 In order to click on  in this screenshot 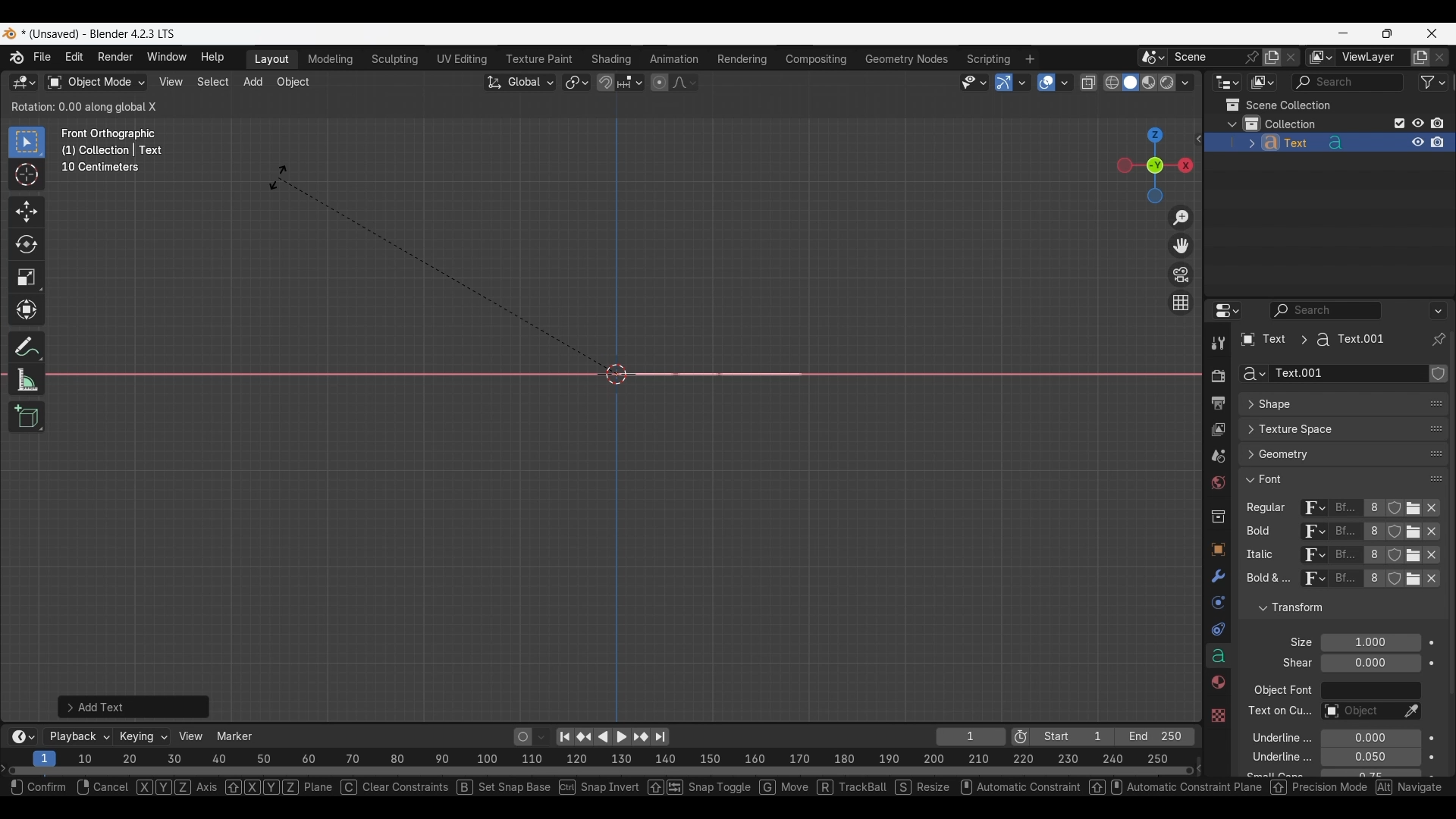, I will do `click(1264, 556)`.